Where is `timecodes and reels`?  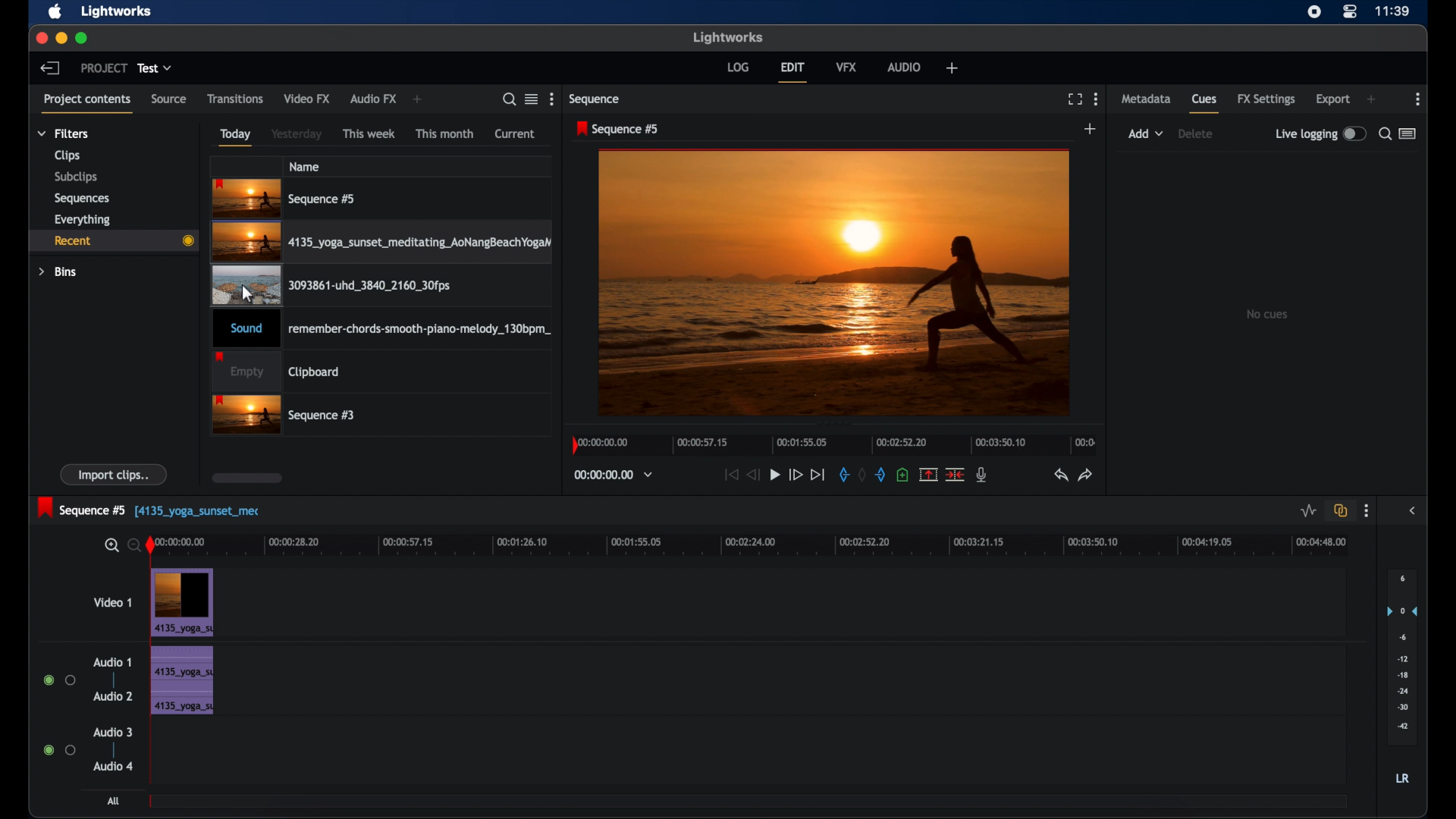 timecodes and reels is located at coordinates (617, 474).